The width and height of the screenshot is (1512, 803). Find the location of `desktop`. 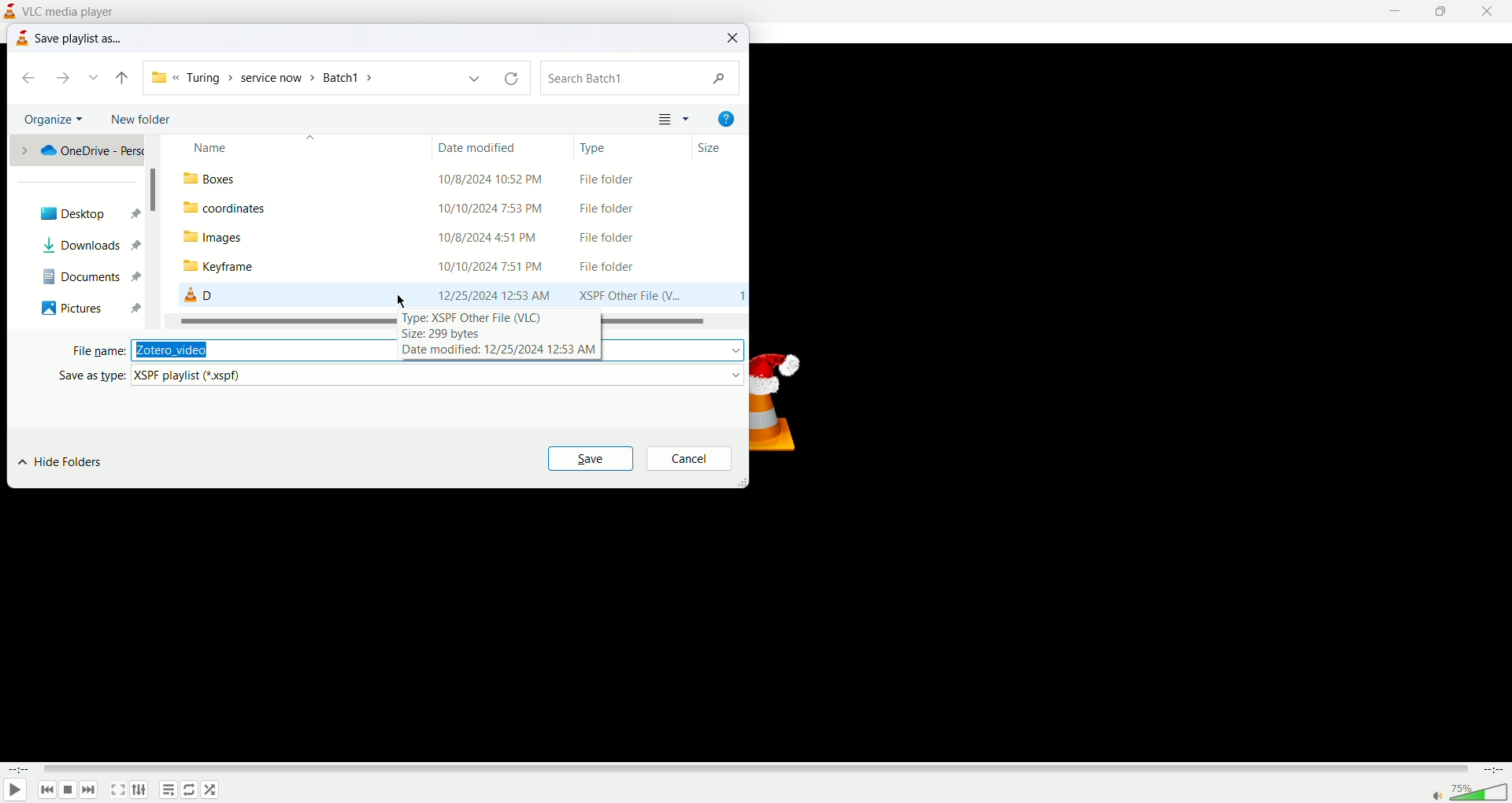

desktop is located at coordinates (80, 214).